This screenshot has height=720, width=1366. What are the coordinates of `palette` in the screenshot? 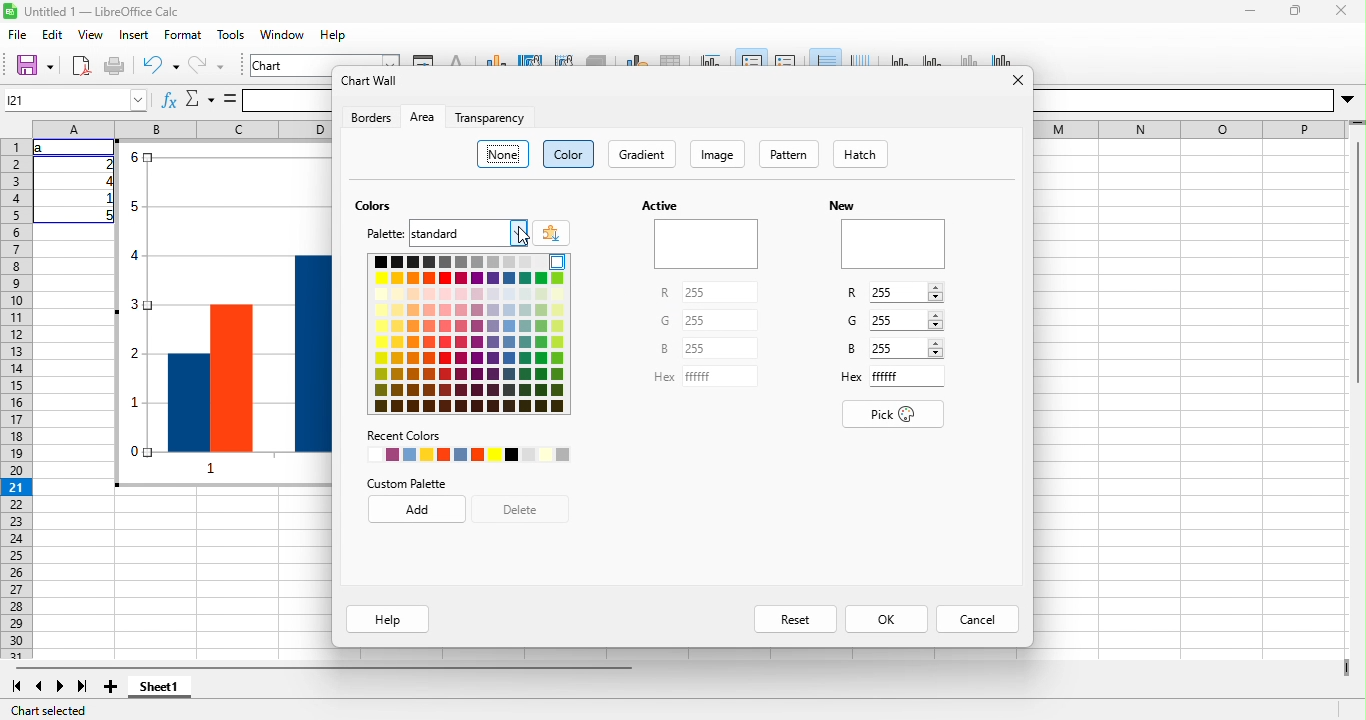 It's located at (385, 234).